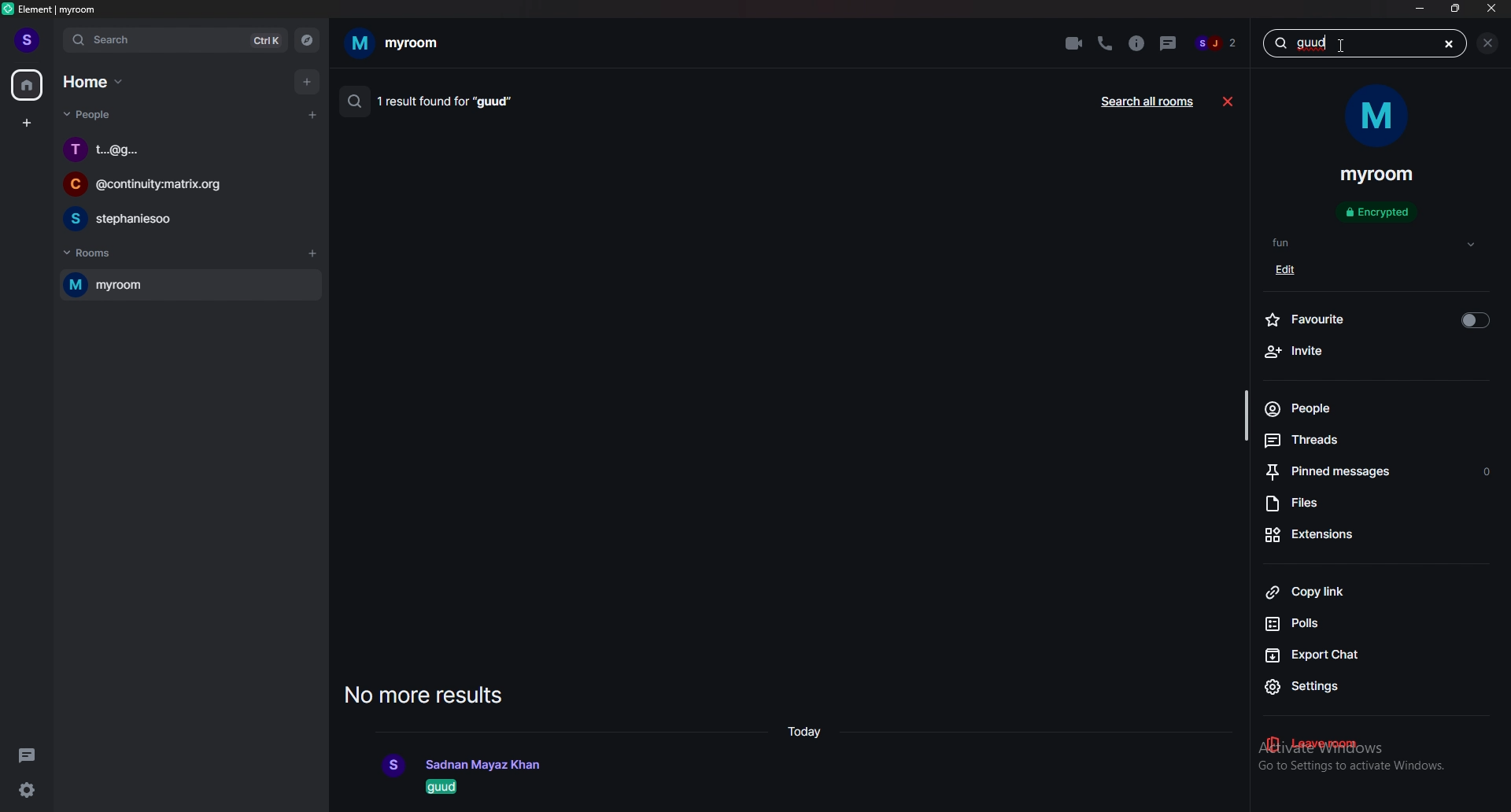 This screenshot has width=1511, height=812. What do you see at coordinates (31, 792) in the screenshot?
I see `settings` at bounding box center [31, 792].